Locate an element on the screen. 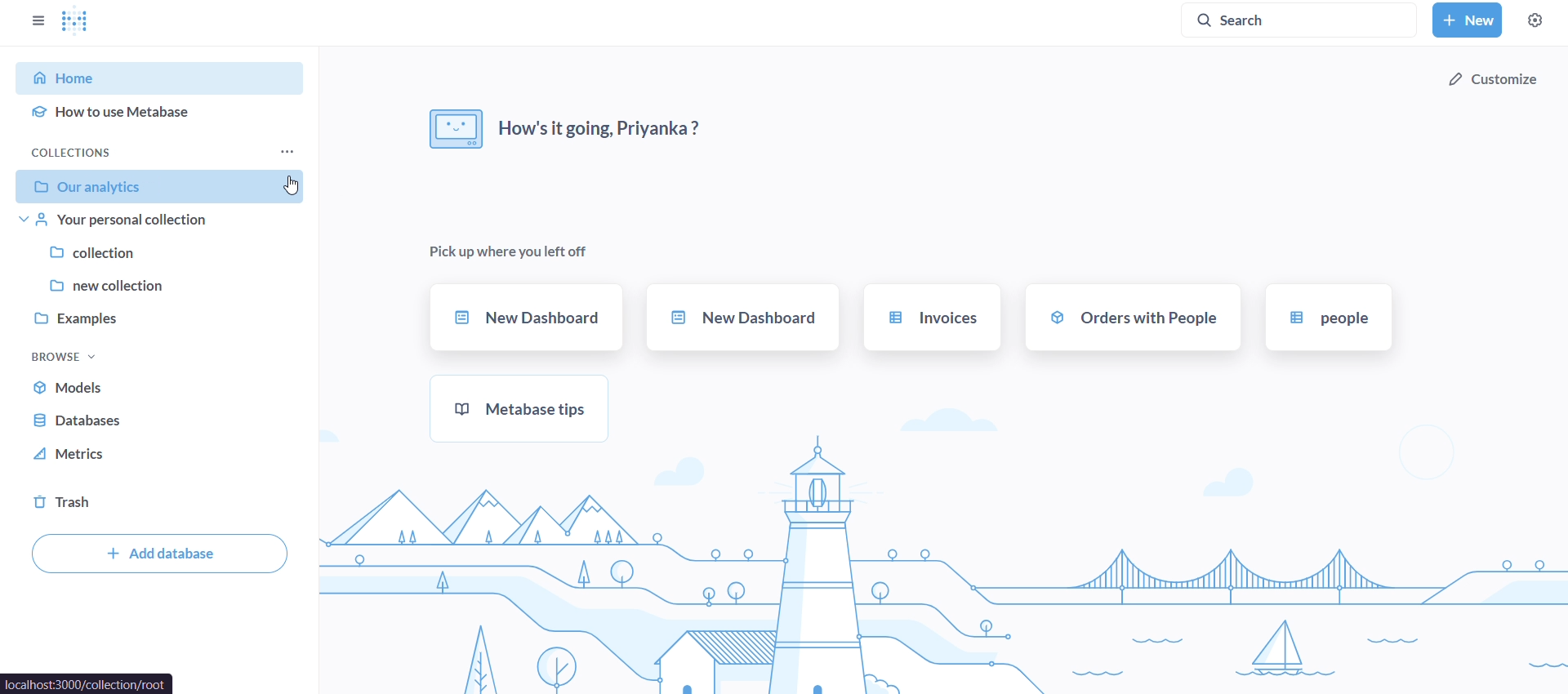 Image resolution: width=1568 pixels, height=694 pixels. collection is located at coordinates (164, 253).